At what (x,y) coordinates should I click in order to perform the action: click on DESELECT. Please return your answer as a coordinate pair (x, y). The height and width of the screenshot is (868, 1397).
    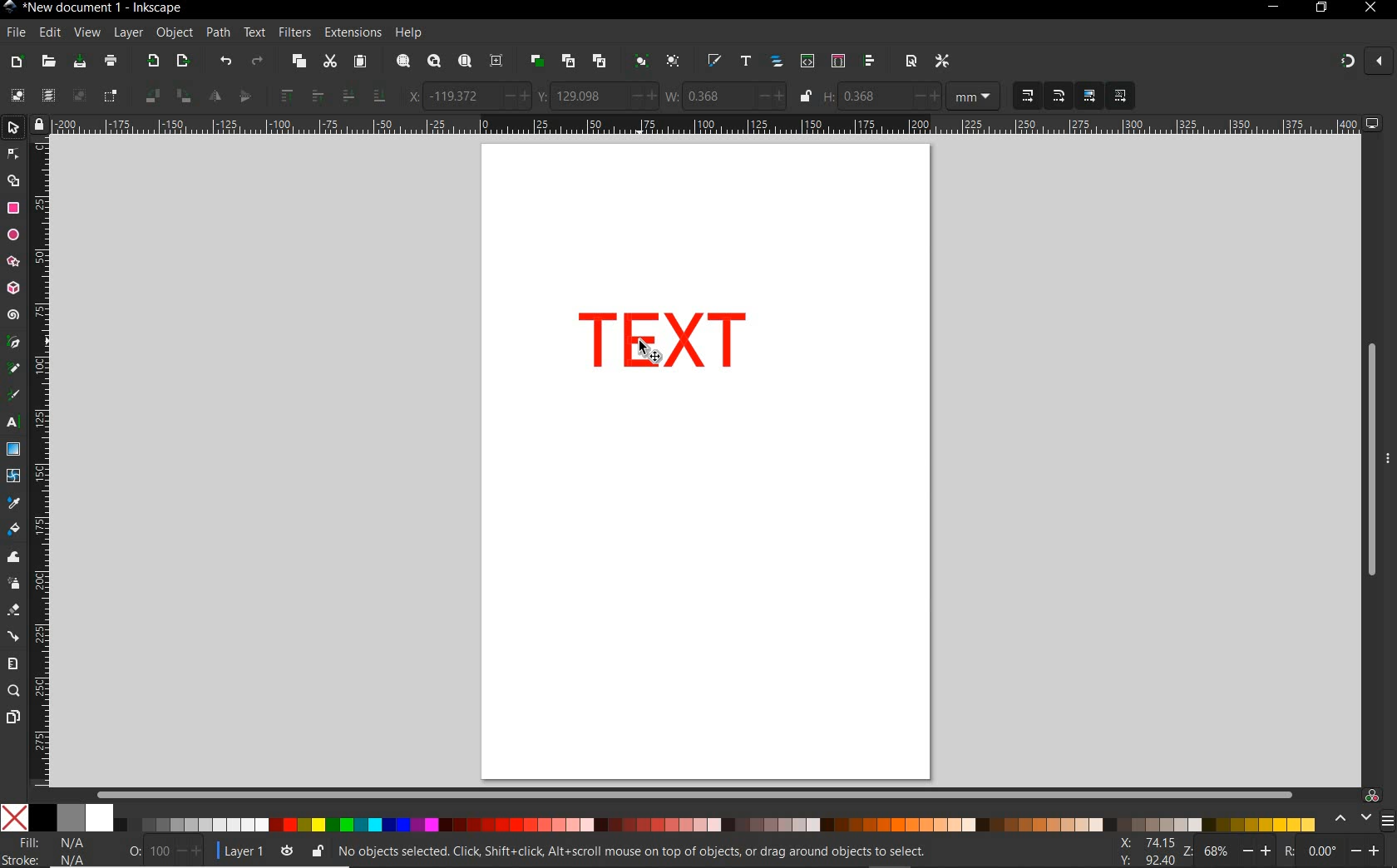
    Looking at the image, I should click on (77, 95).